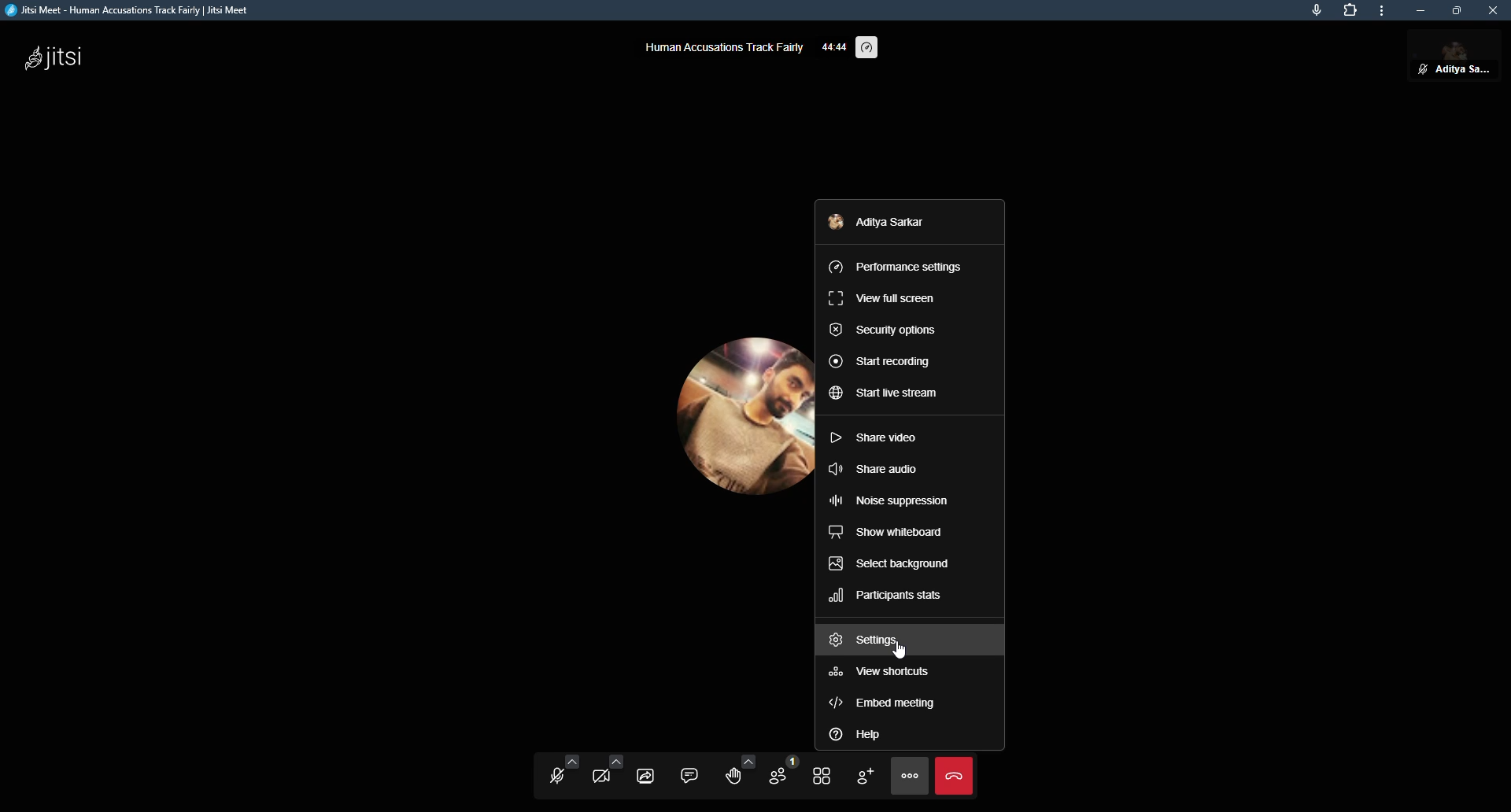 This screenshot has height=812, width=1511. What do you see at coordinates (893, 566) in the screenshot?
I see `` at bounding box center [893, 566].